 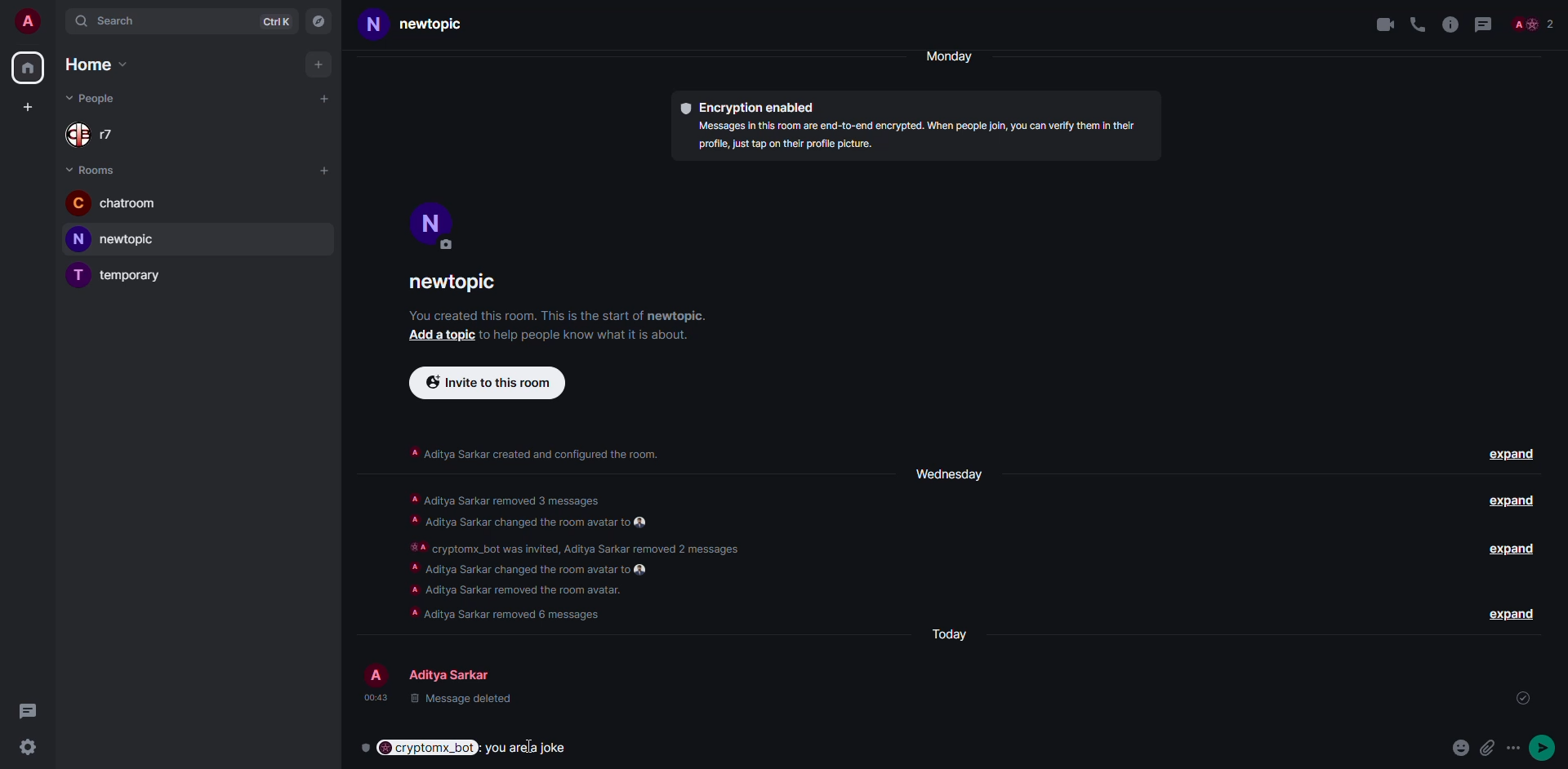 I want to click on search, so click(x=110, y=22).